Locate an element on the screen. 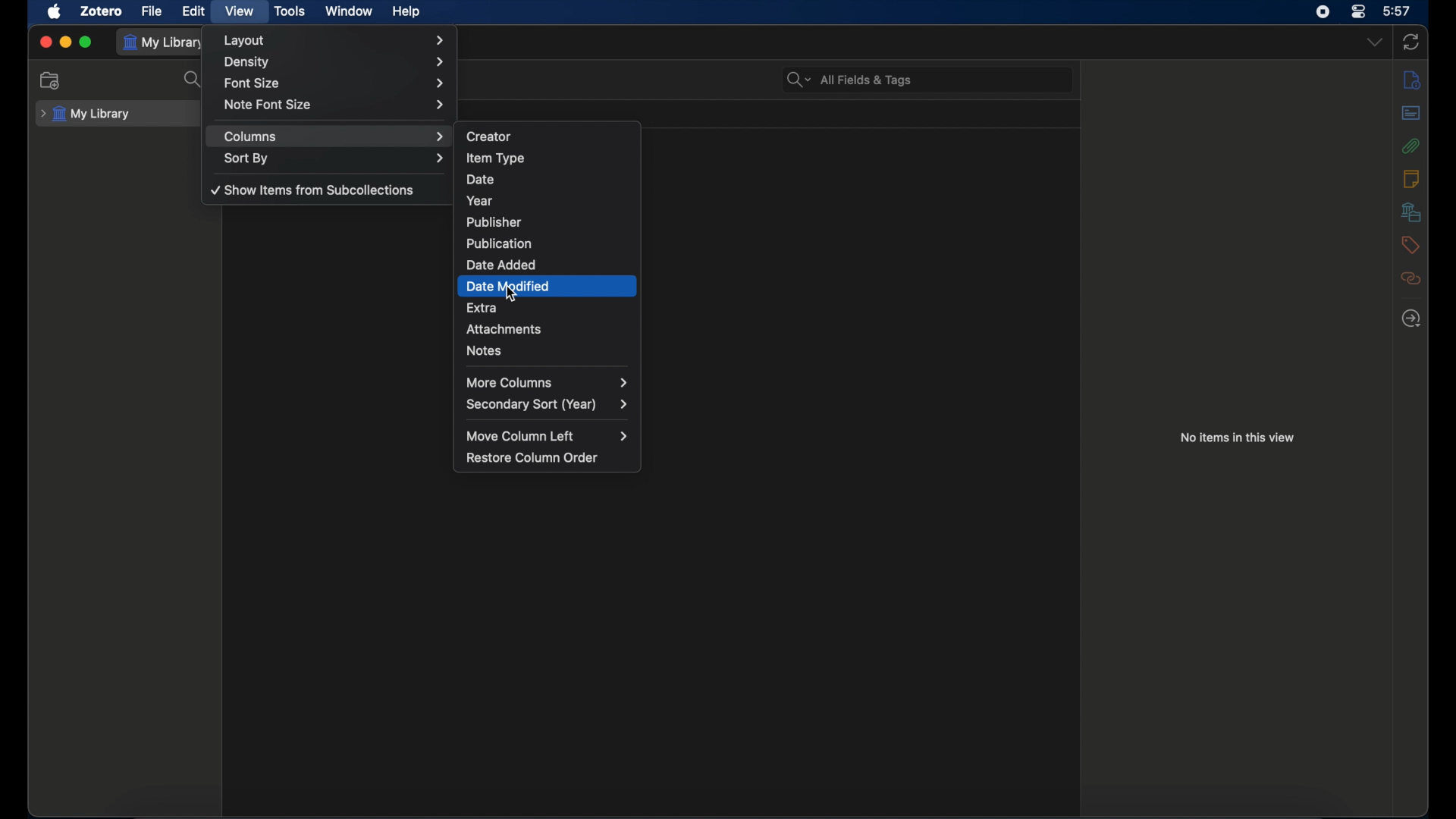  more columns is located at coordinates (547, 382).